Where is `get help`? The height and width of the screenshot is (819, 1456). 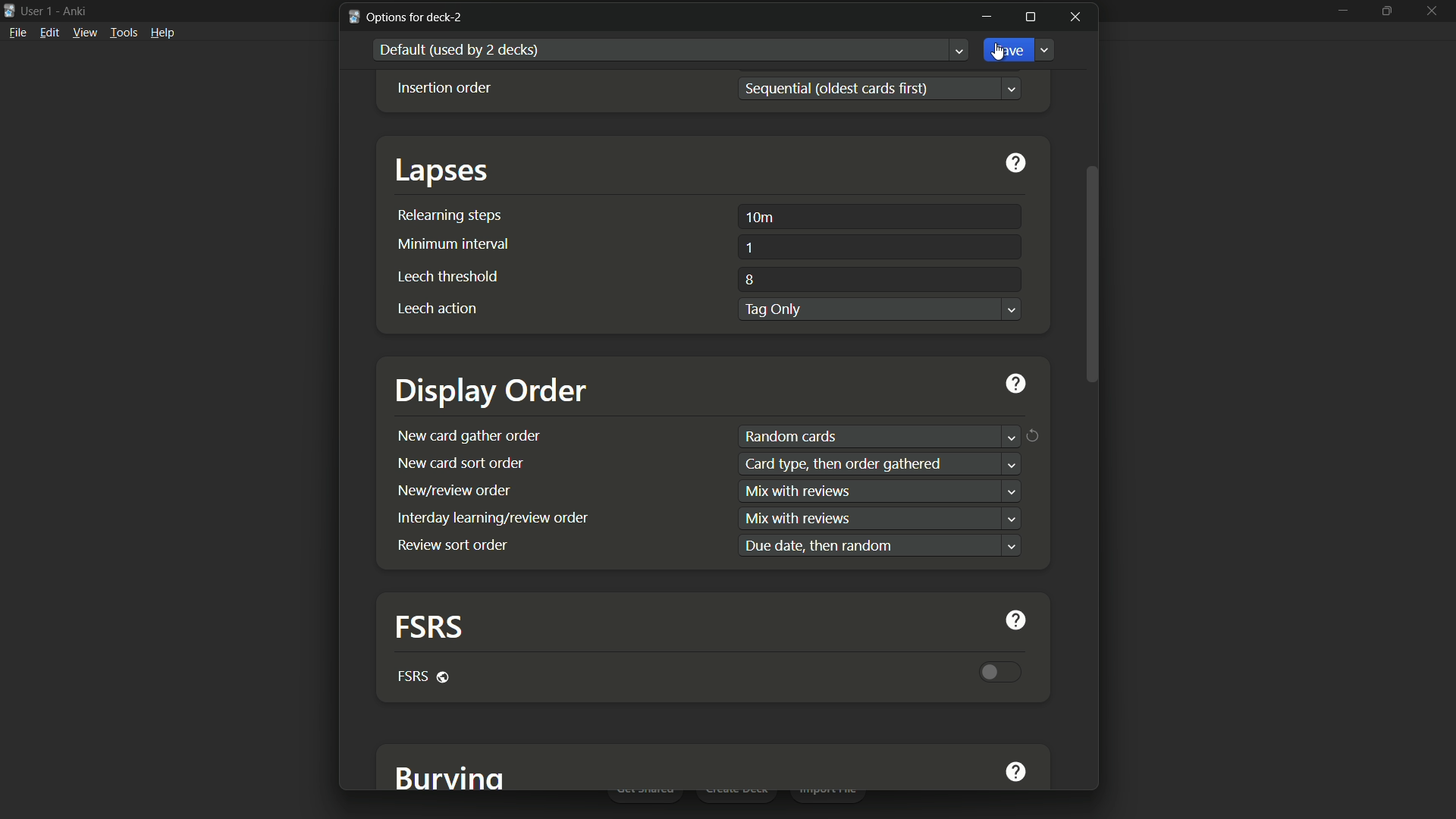
get help is located at coordinates (1021, 620).